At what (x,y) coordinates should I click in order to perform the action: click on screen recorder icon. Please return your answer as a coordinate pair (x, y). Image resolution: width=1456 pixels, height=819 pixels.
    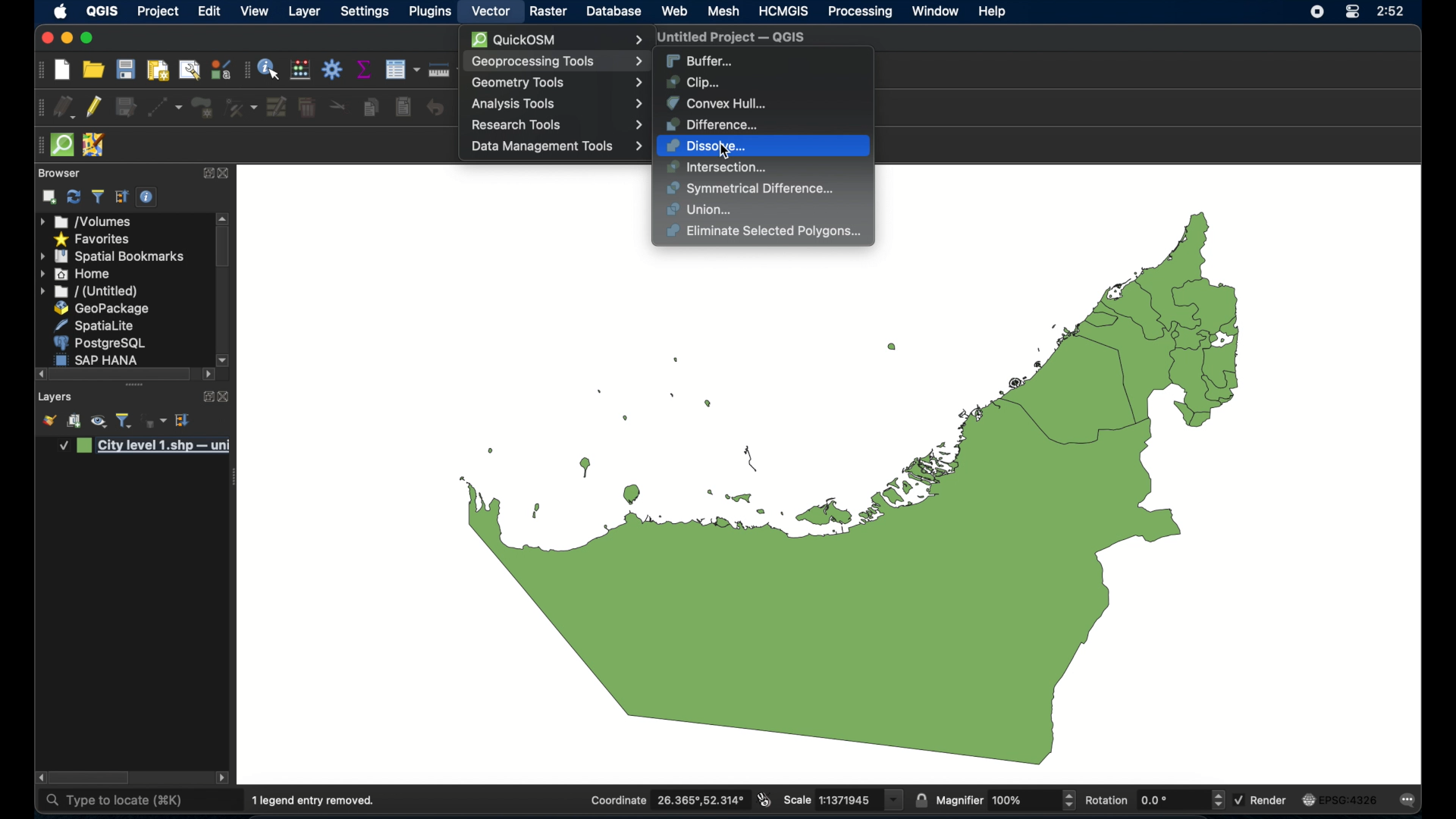
    Looking at the image, I should click on (1316, 13).